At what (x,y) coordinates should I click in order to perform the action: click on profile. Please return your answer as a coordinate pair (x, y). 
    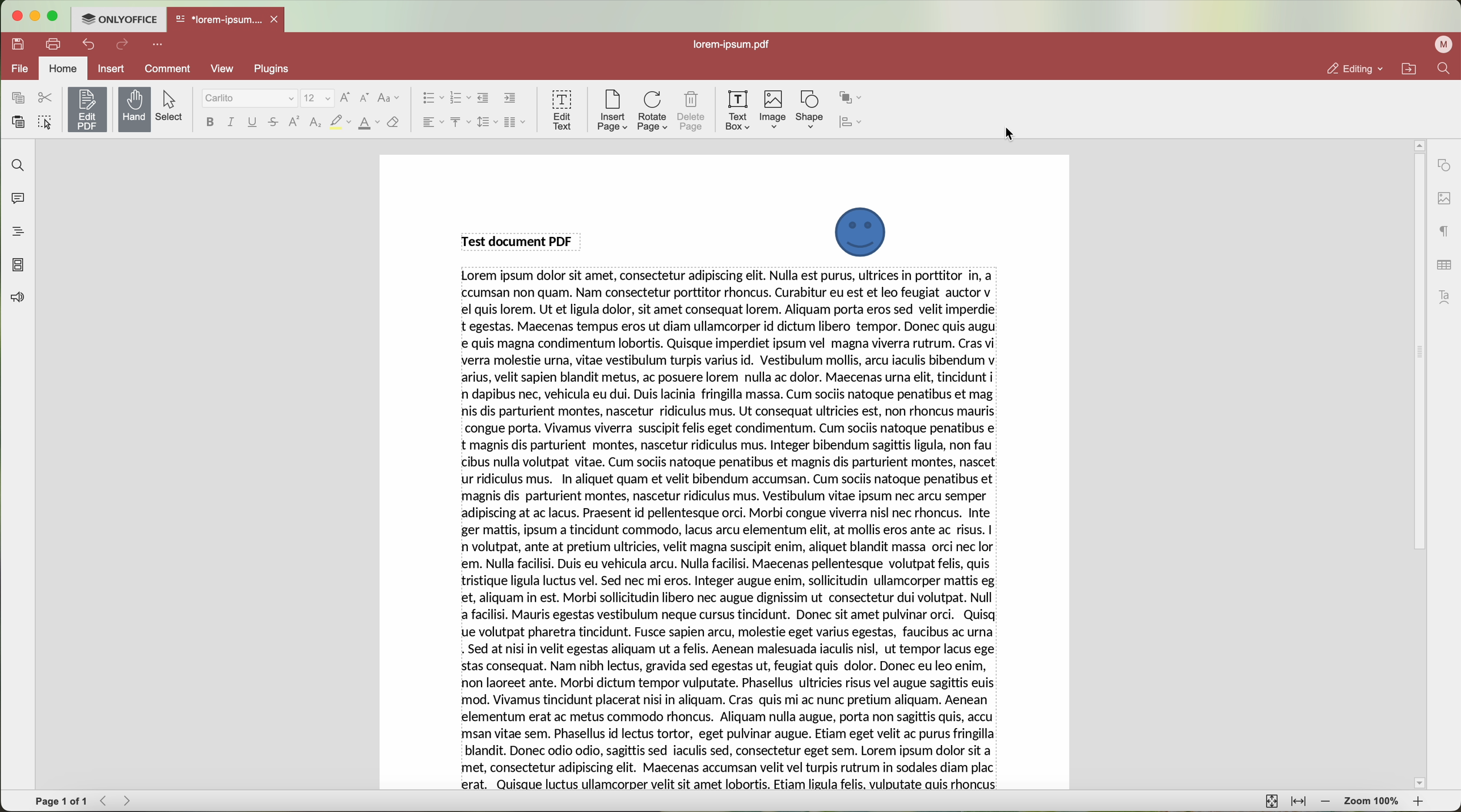
    Looking at the image, I should click on (1441, 45).